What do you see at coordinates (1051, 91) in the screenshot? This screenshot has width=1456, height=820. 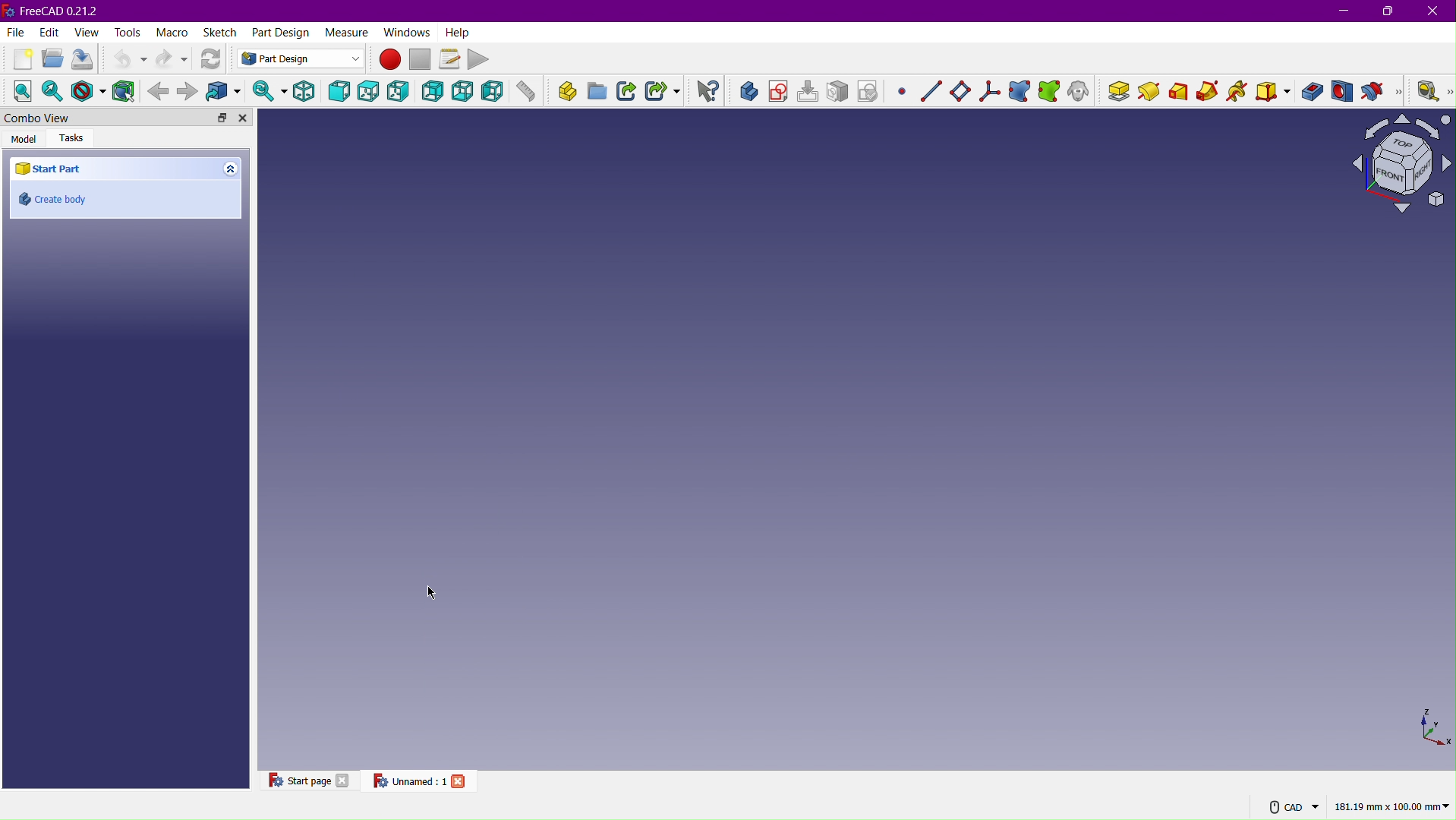 I see `Create a new sub-shape binder` at bounding box center [1051, 91].